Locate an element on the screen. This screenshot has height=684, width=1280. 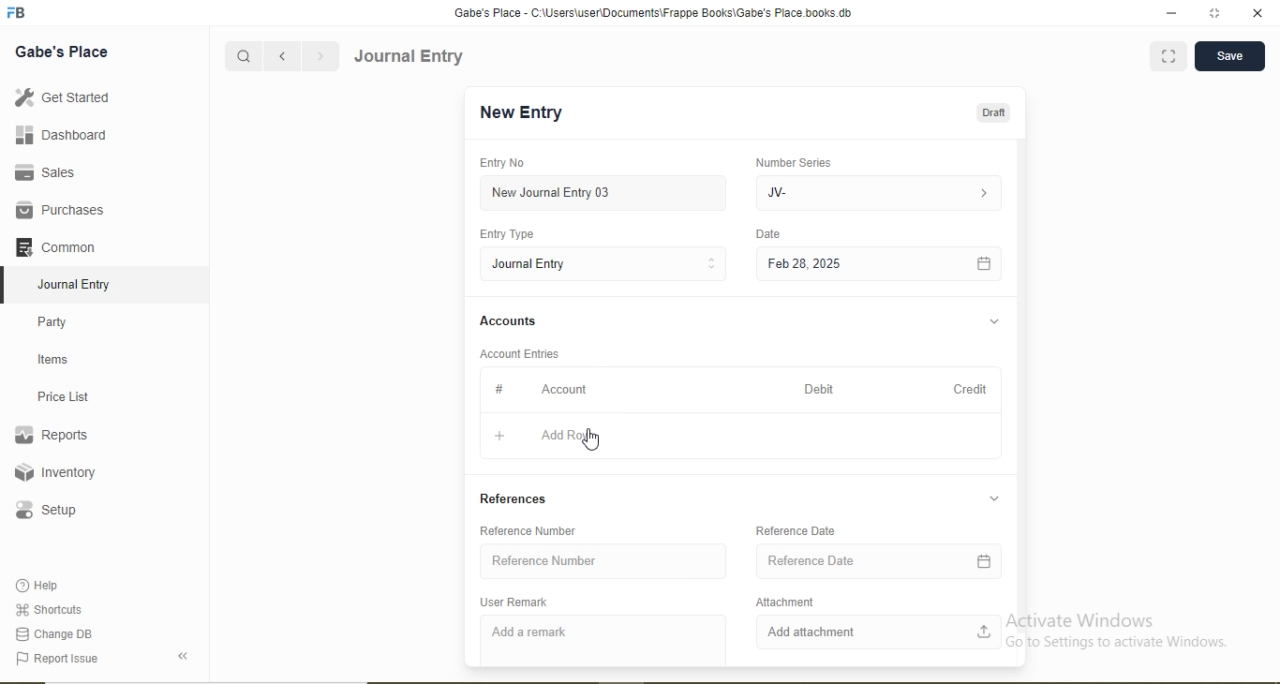
JV- is located at coordinates (777, 193).